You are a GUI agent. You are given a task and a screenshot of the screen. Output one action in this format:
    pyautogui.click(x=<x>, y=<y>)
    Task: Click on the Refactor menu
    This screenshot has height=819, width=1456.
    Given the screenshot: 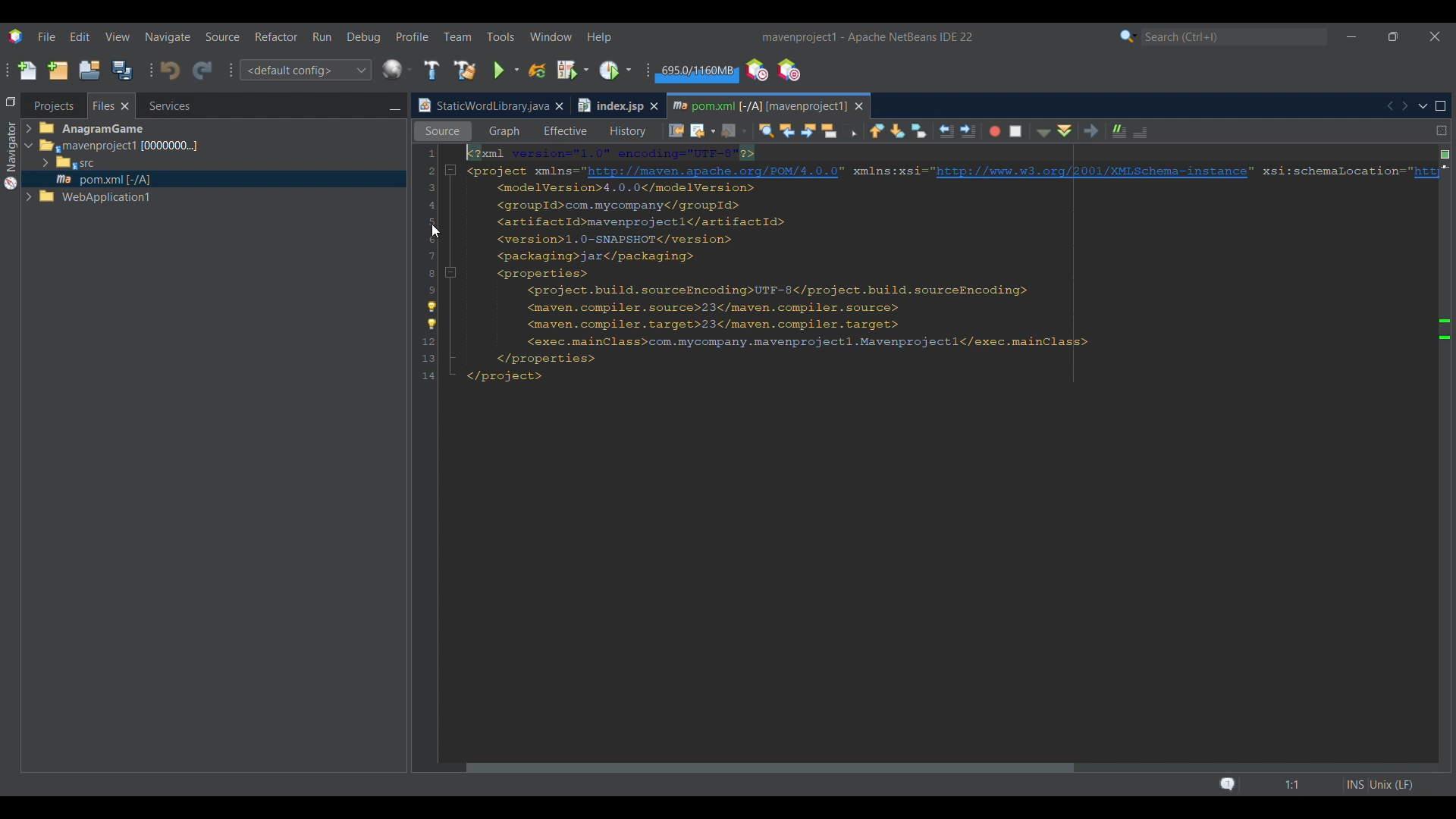 What is the action you would take?
    pyautogui.click(x=275, y=36)
    